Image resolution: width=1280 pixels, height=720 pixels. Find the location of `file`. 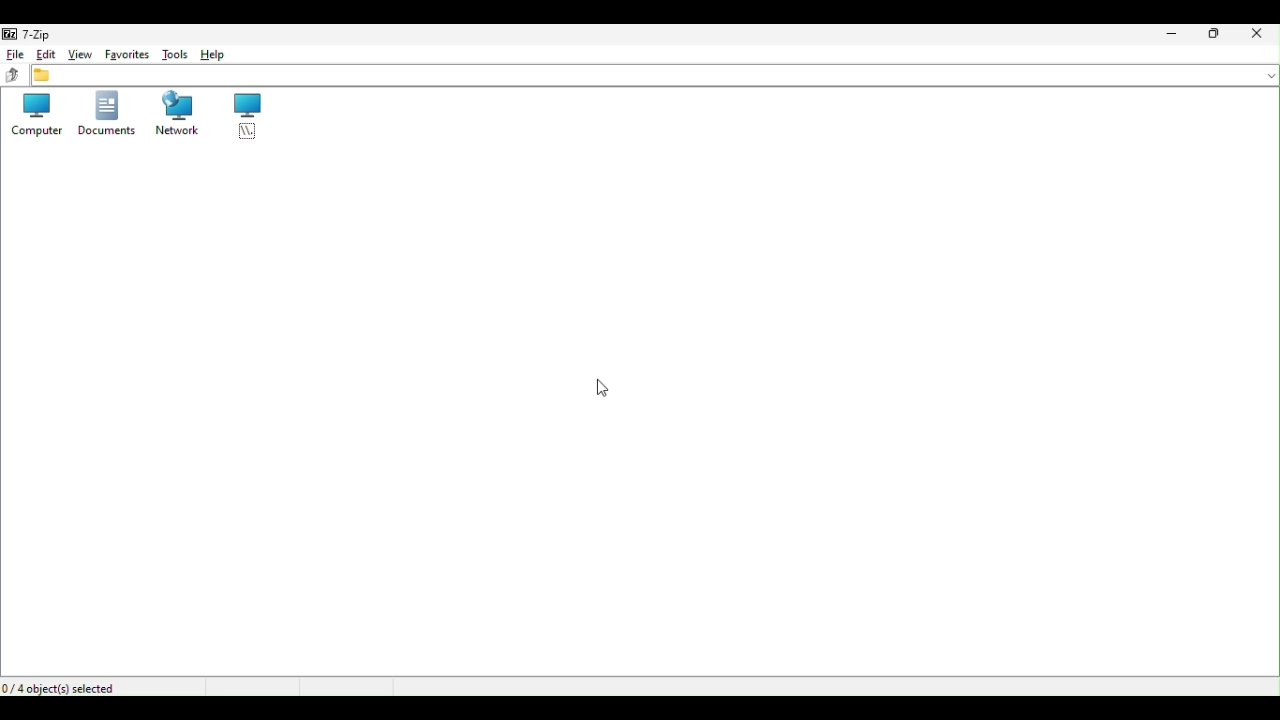

file is located at coordinates (15, 54).